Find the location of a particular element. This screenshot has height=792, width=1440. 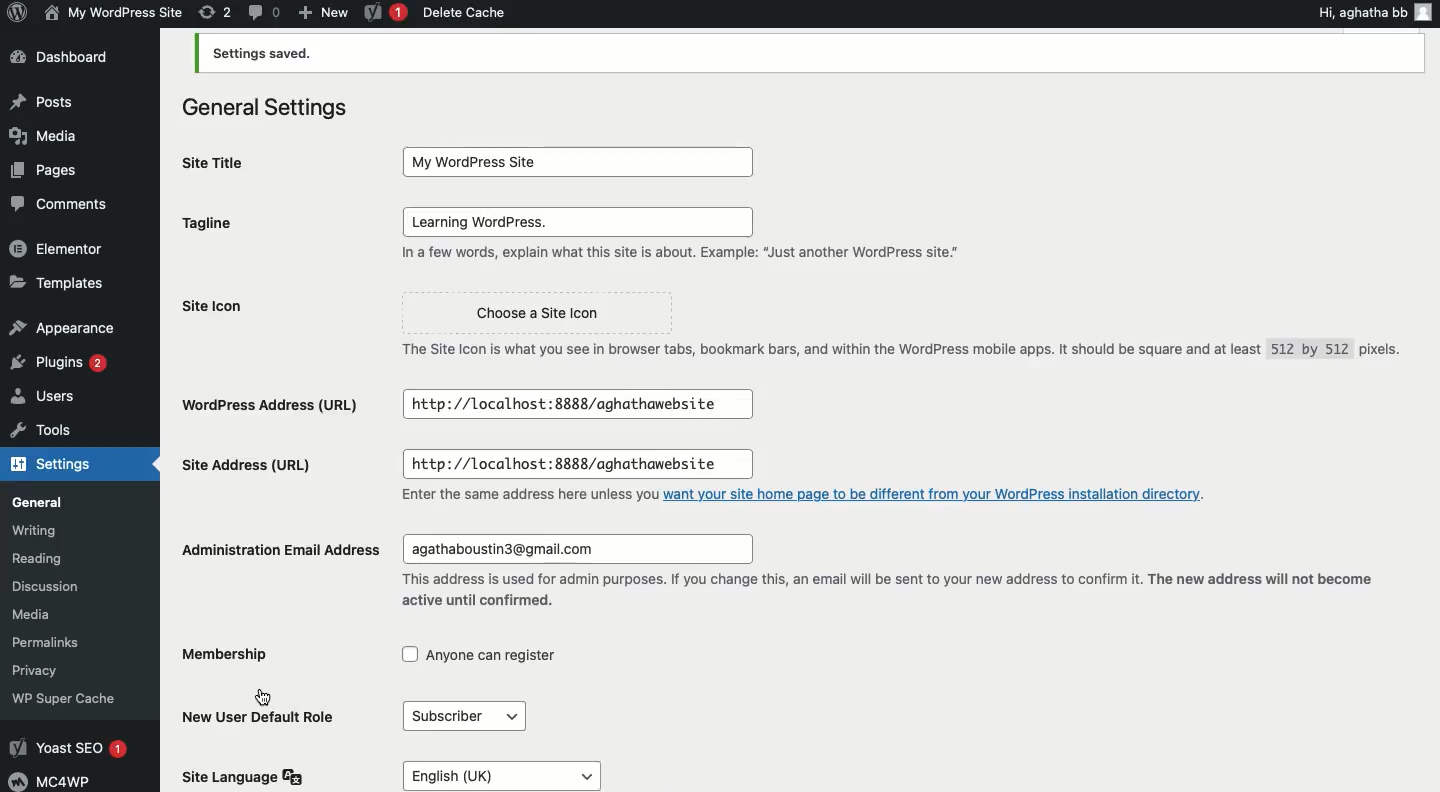

Enter the same address here unless you is located at coordinates (520, 497).